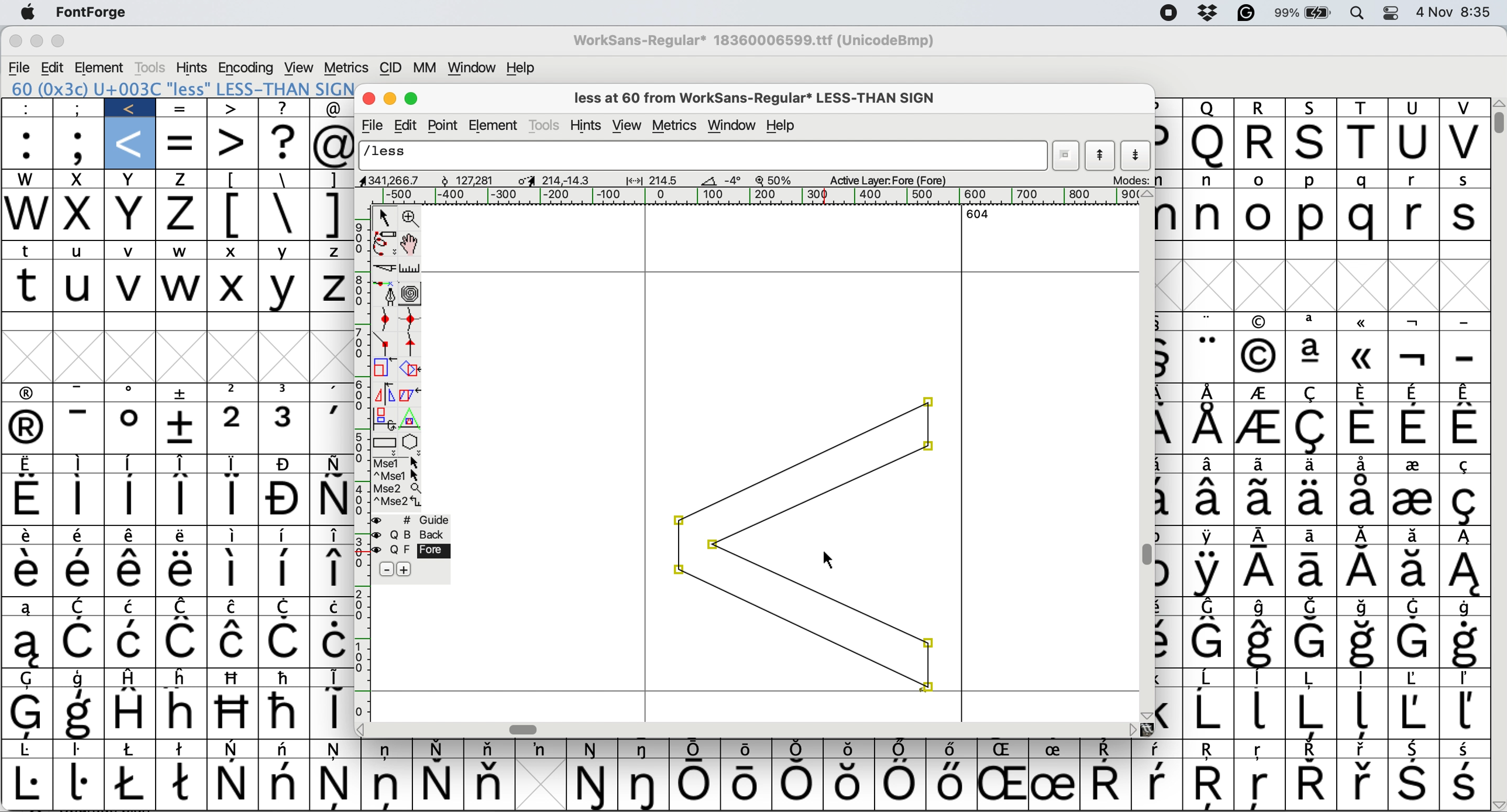  Describe the element at coordinates (132, 783) in the screenshot. I see `Symbol` at that location.